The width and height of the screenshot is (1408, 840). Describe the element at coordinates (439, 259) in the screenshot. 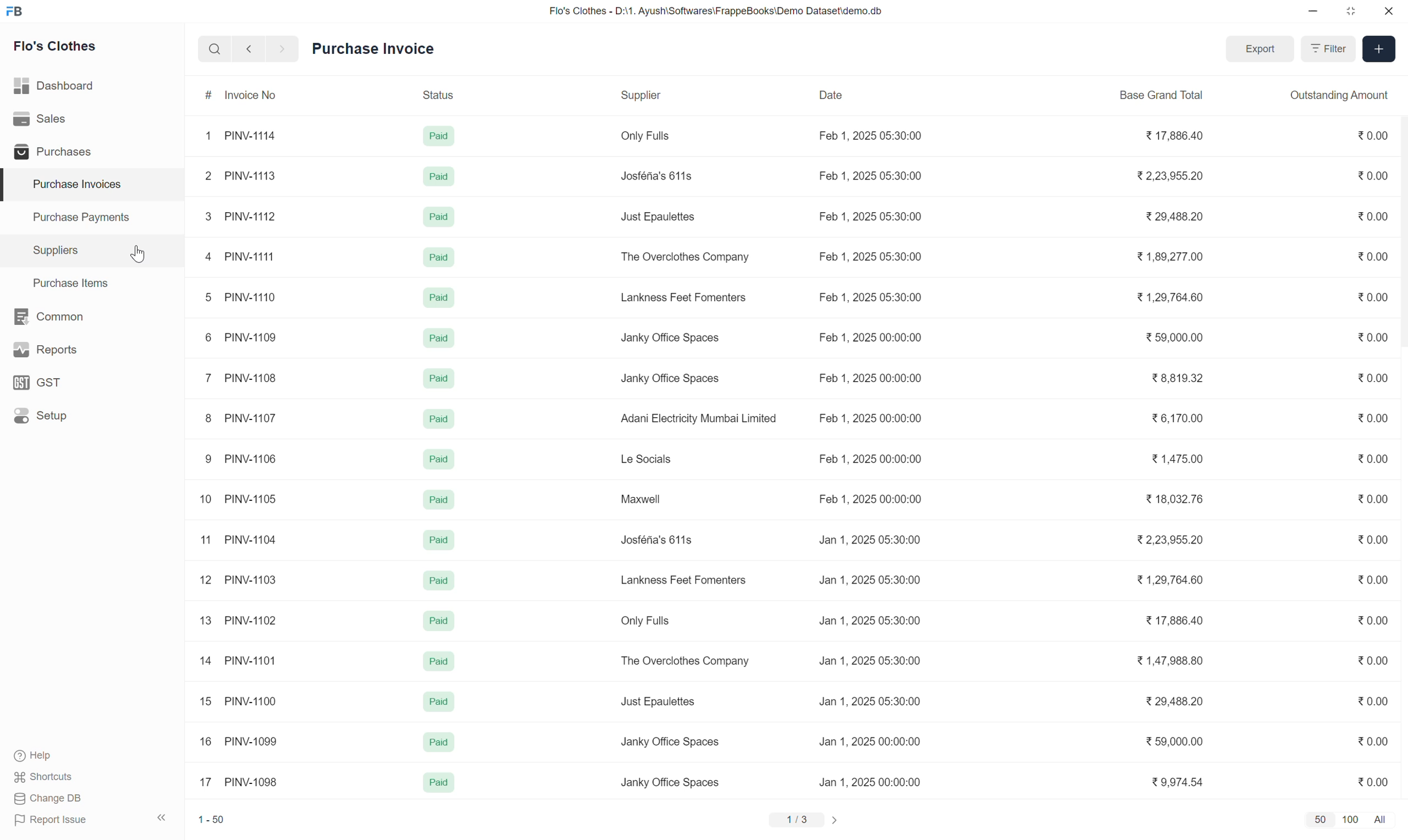

I see `paid` at that location.